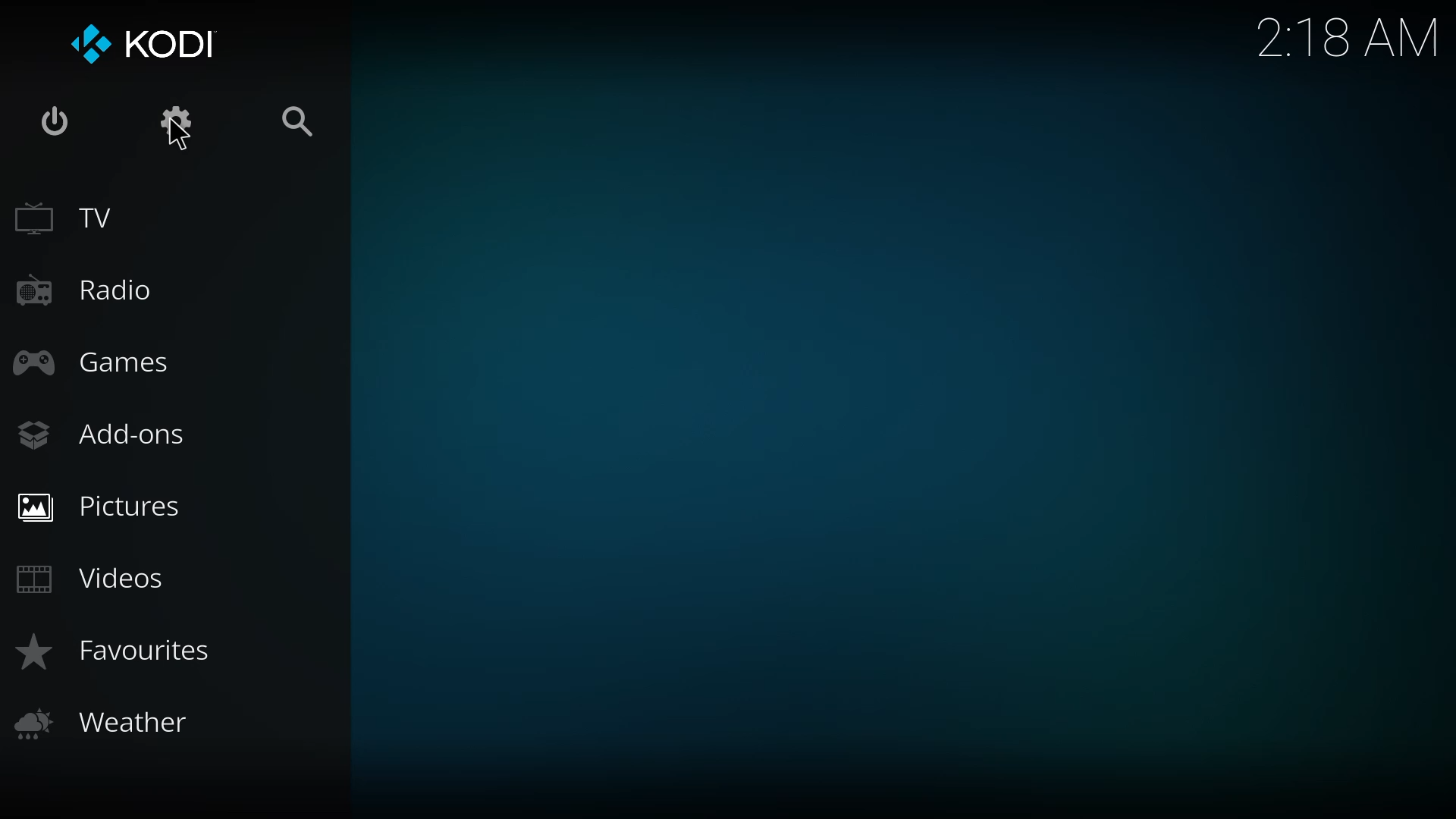  I want to click on pictures, so click(109, 507).